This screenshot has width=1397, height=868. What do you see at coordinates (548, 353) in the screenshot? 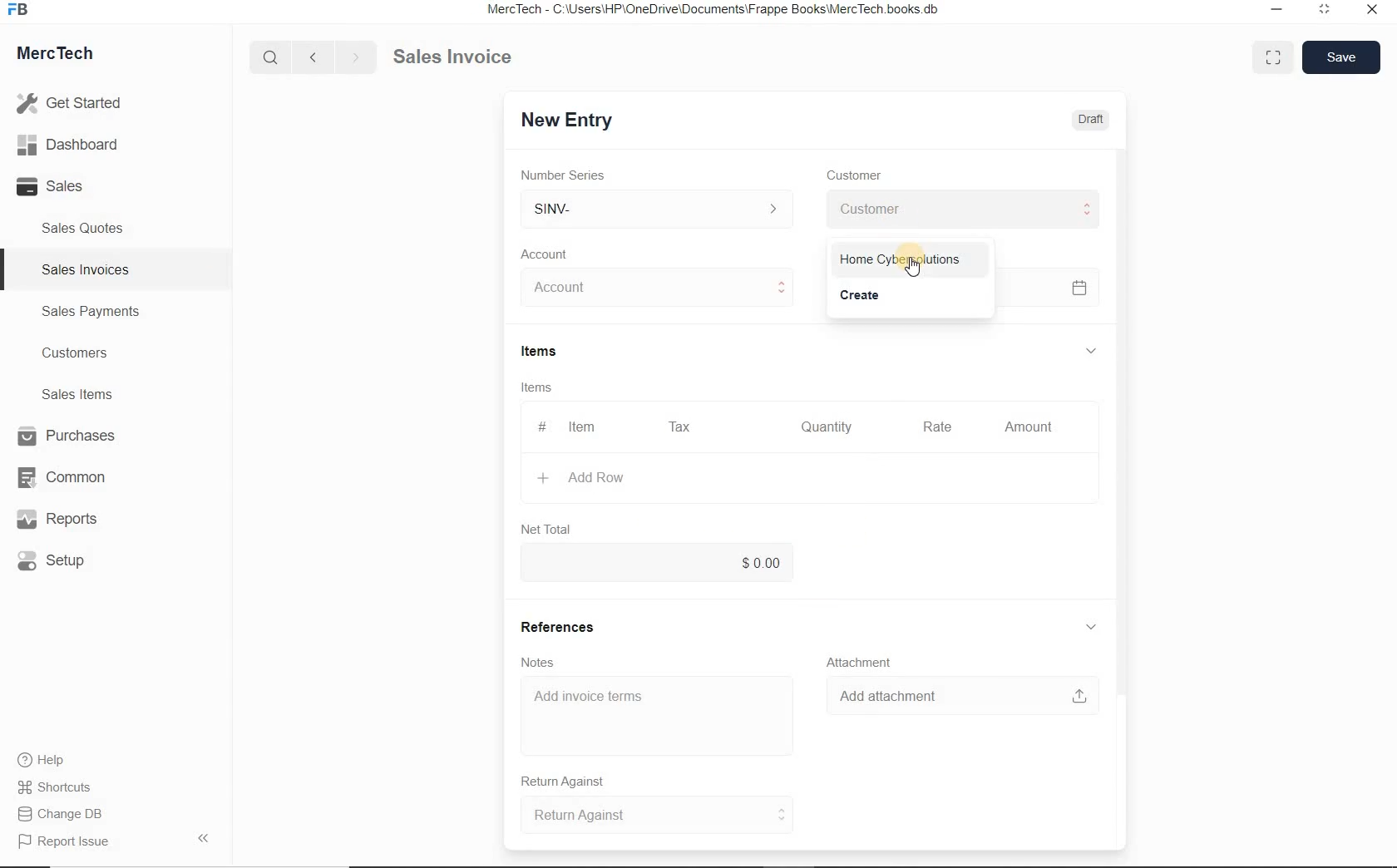
I see `Items` at bounding box center [548, 353].